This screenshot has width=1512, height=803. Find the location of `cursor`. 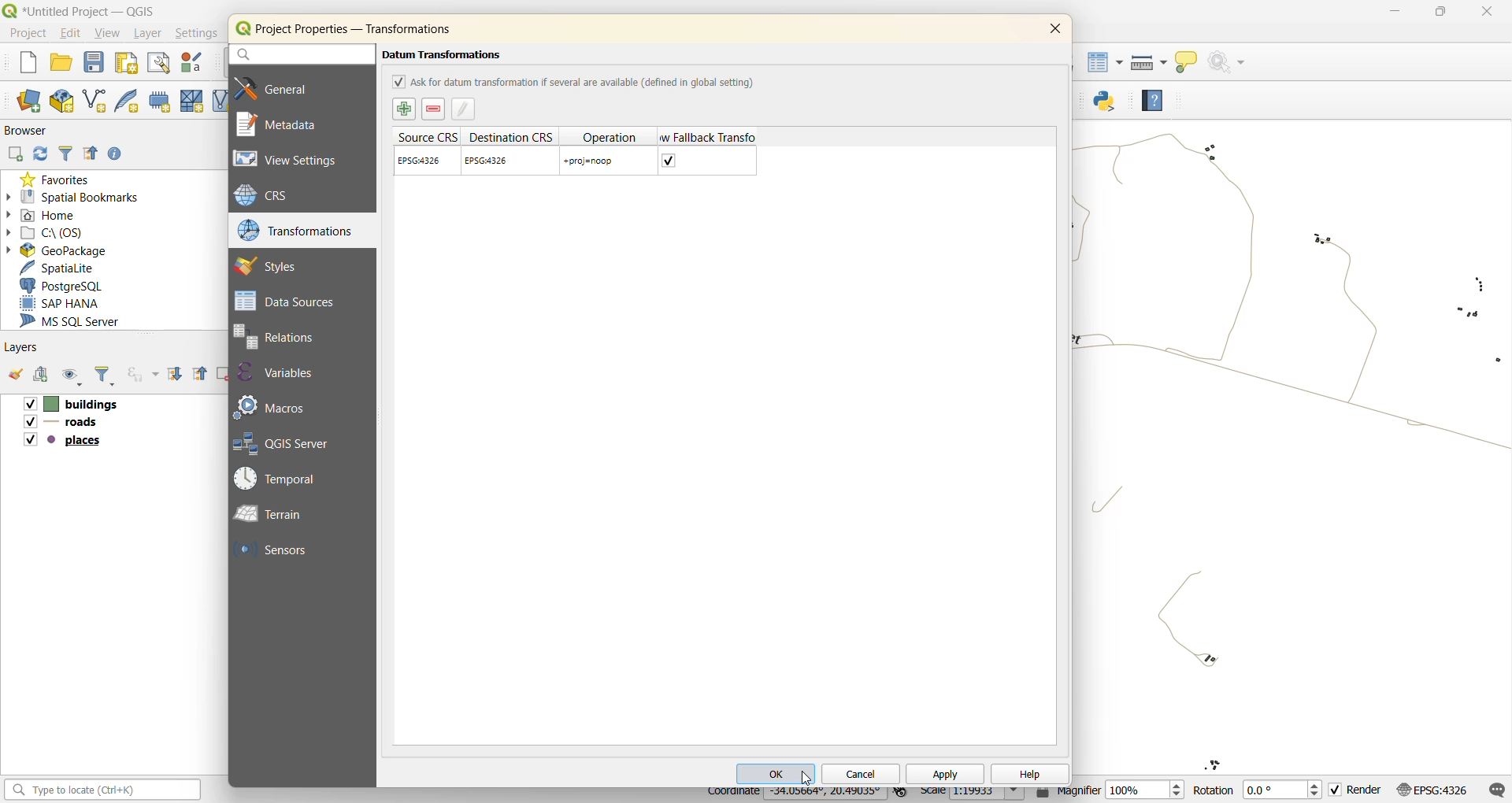

cursor is located at coordinates (806, 777).